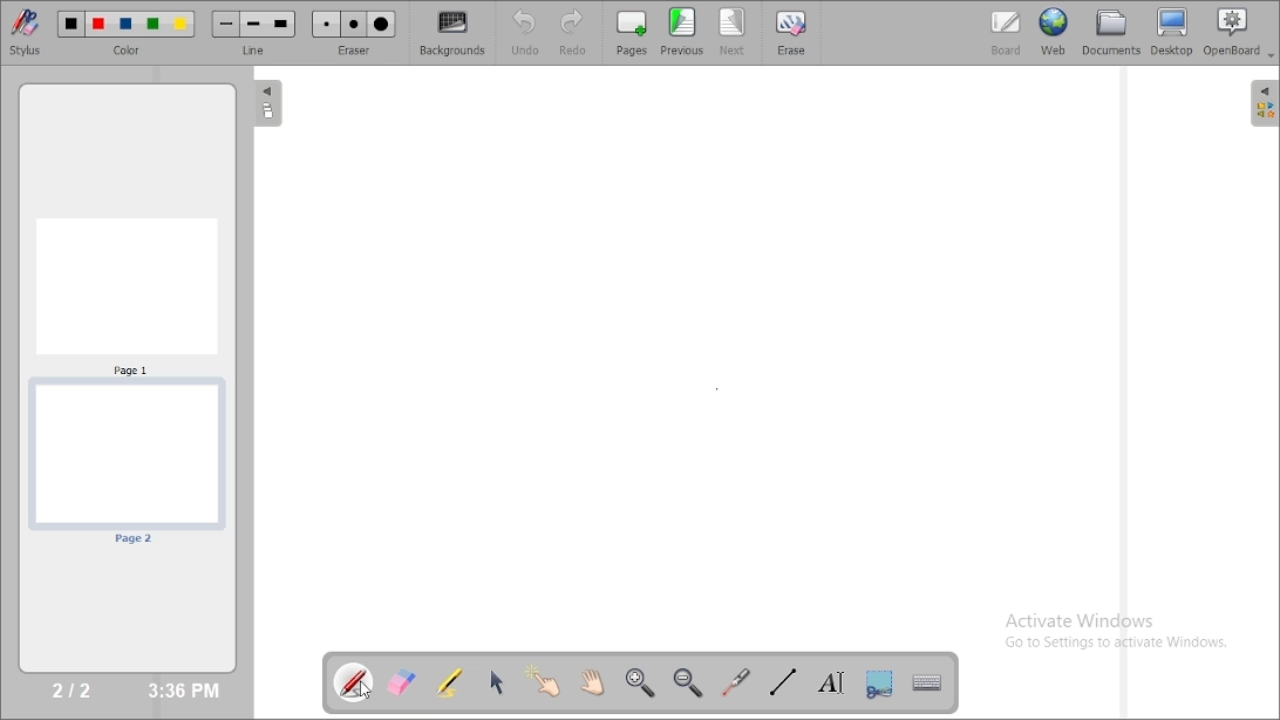 The height and width of the screenshot is (720, 1280). What do you see at coordinates (926, 682) in the screenshot?
I see `display virtual keyboard` at bounding box center [926, 682].